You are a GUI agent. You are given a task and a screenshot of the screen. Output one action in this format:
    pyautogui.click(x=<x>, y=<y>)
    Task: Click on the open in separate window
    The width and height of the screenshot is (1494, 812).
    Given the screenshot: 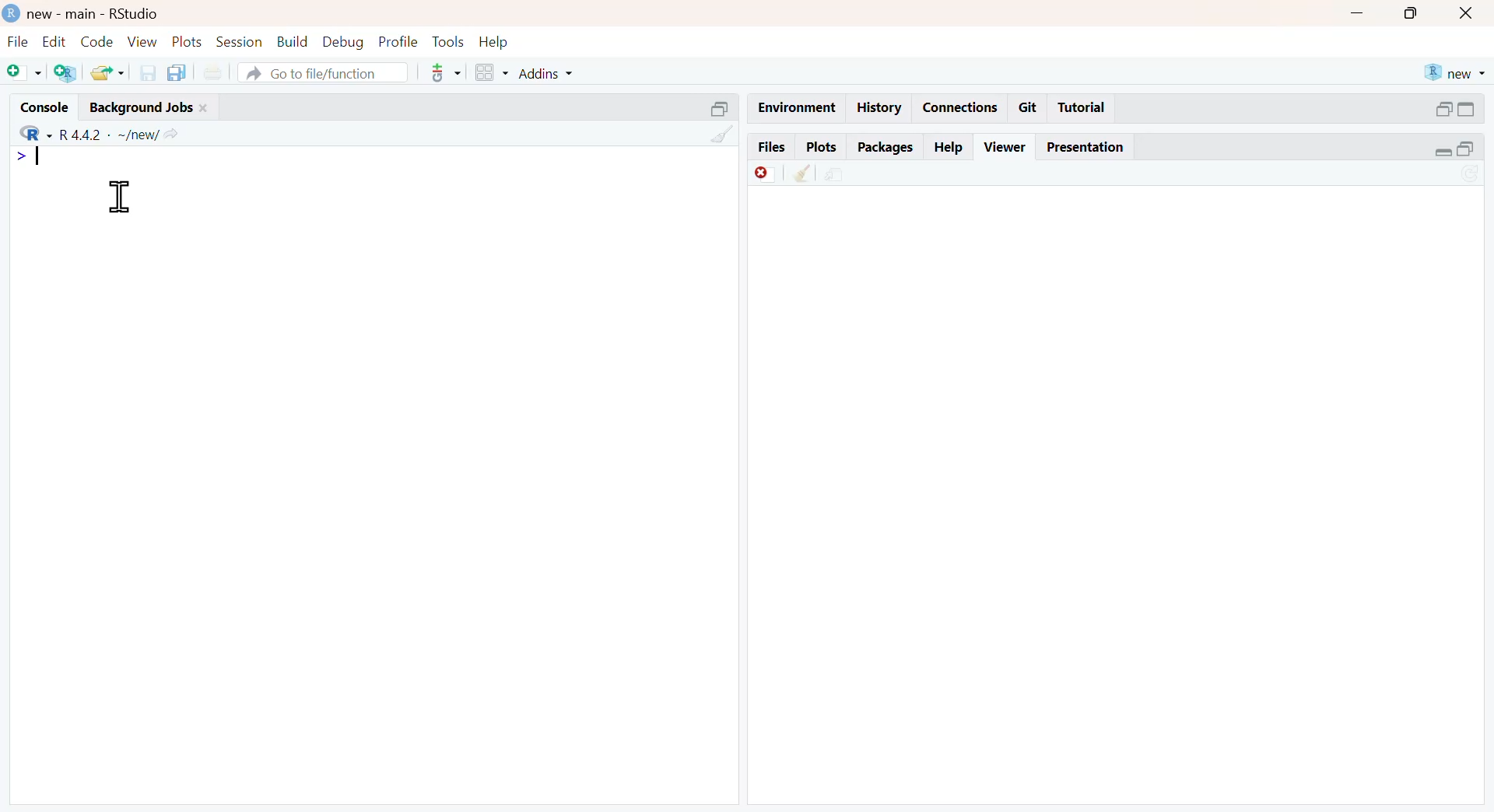 What is the action you would take?
    pyautogui.click(x=1444, y=110)
    